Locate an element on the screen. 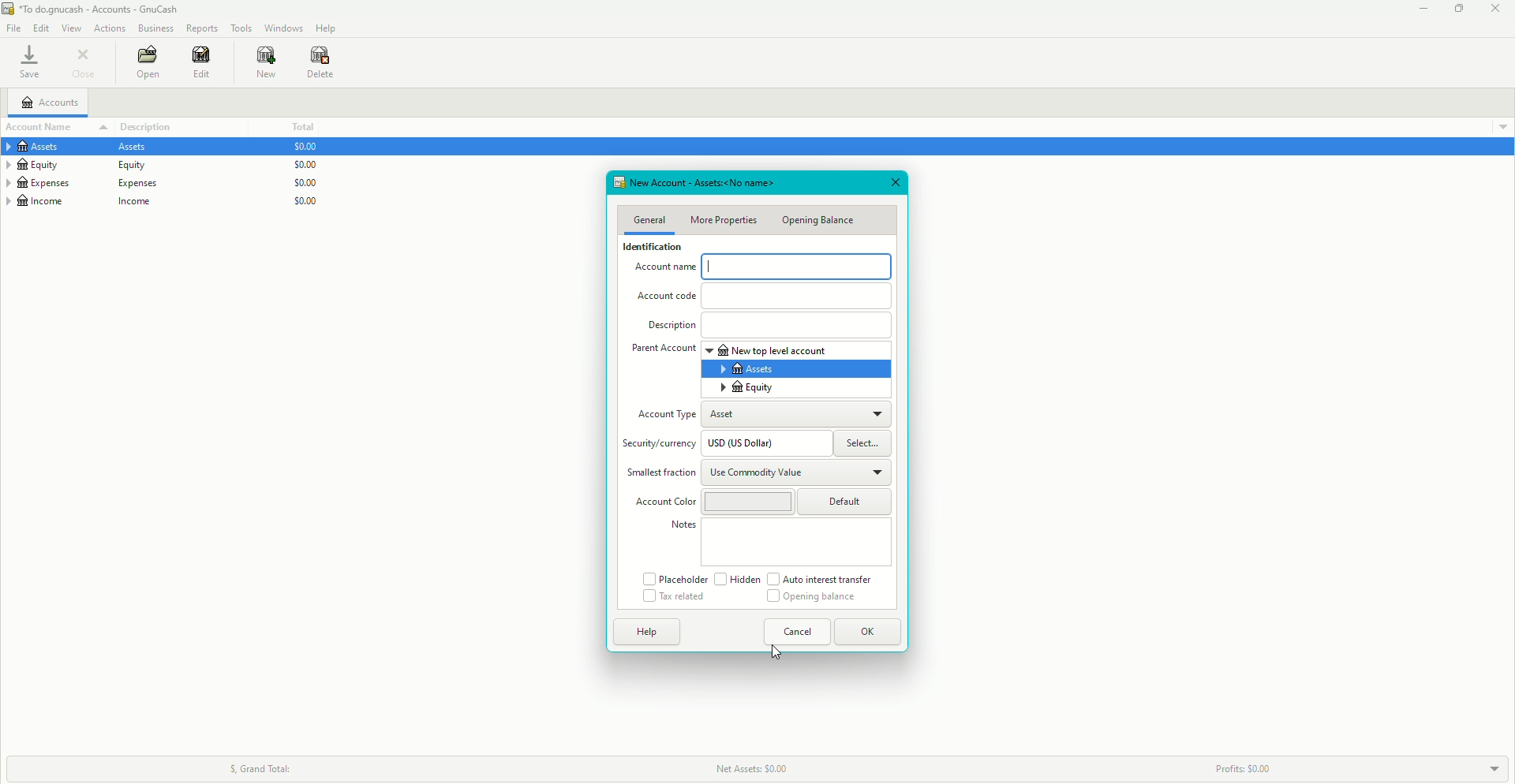 The width and height of the screenshot is (1515, 784). Cursor is located at coordinates (777, 648).